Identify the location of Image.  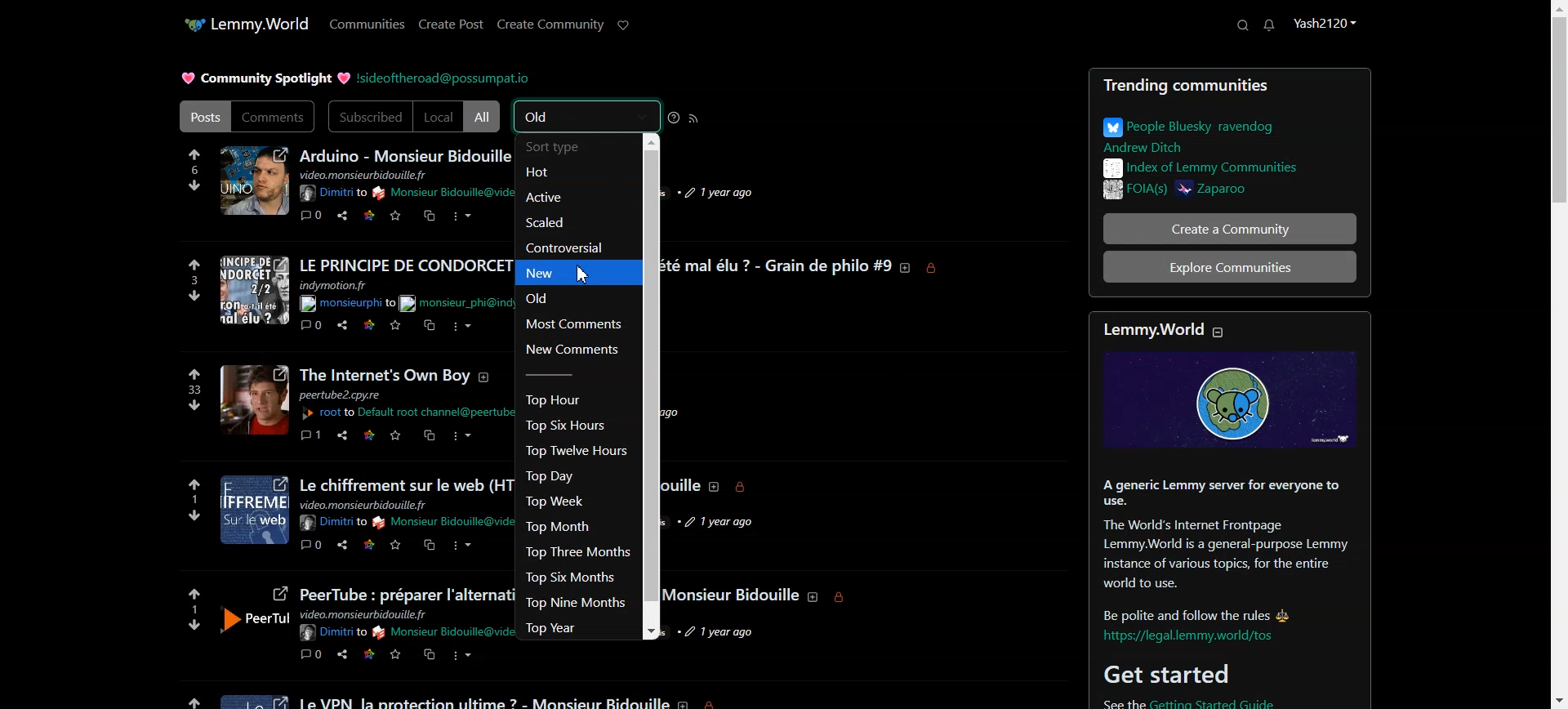
(1229, 401).